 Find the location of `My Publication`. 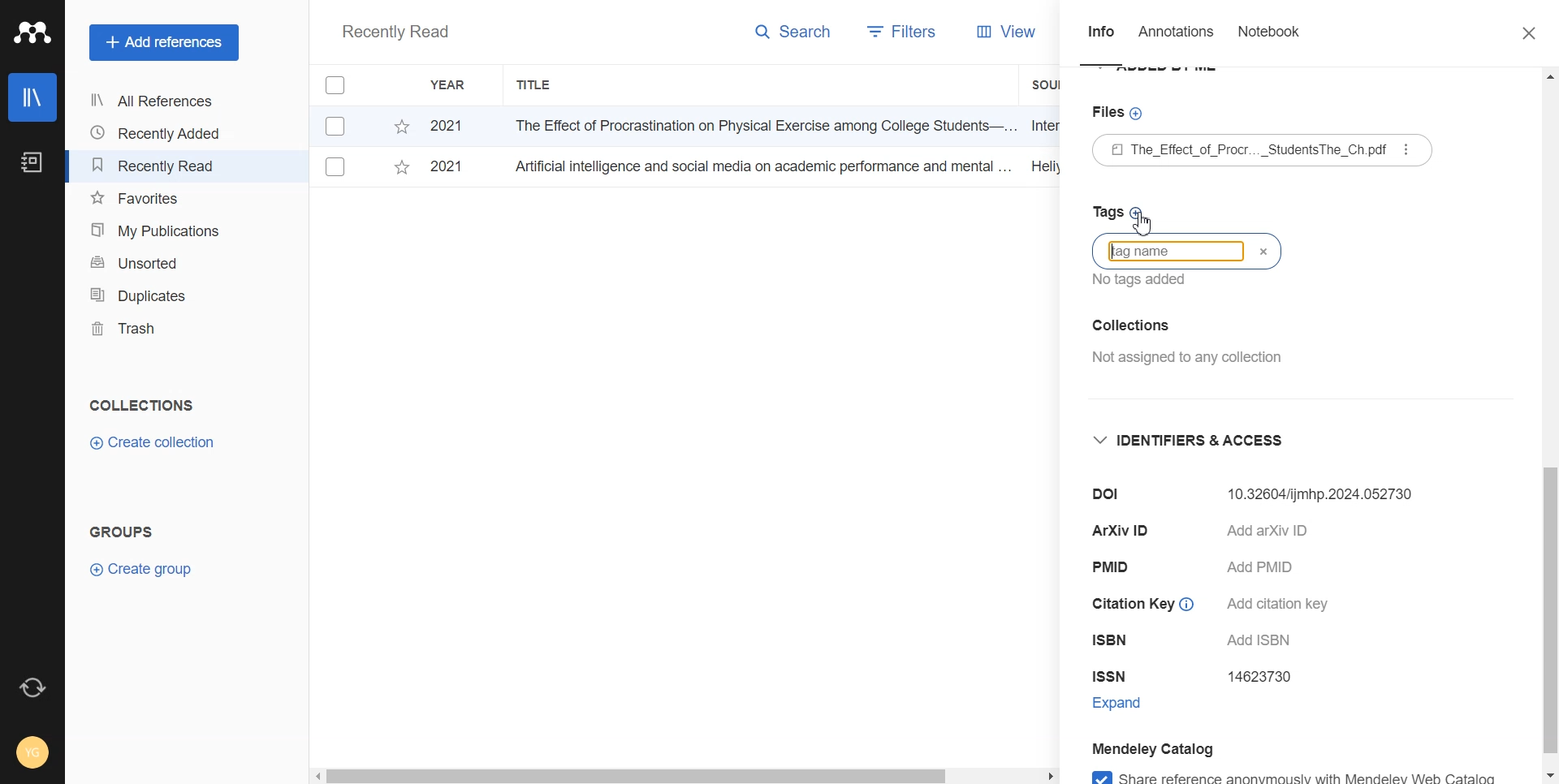

My Publication is located at coordinates (159, 230).